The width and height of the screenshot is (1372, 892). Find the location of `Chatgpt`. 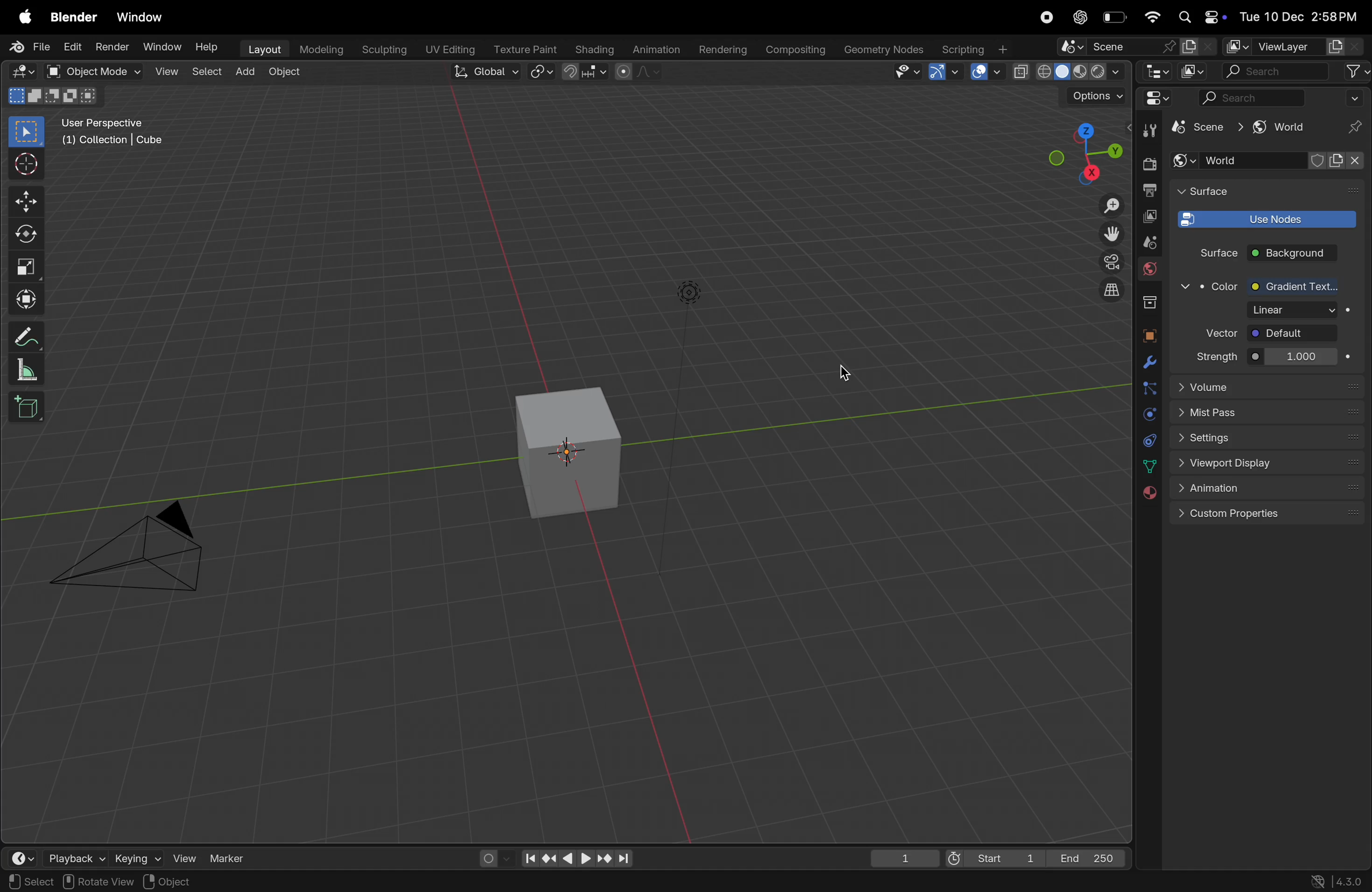

Chatgpt is located at coordinates (1079, 17).